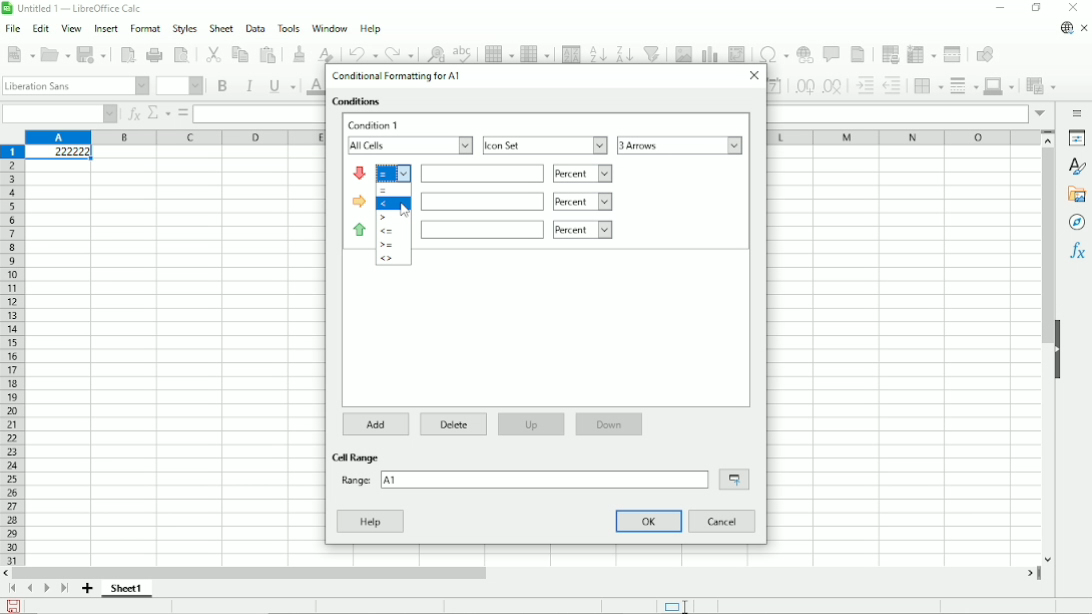  I want to click on Data, so click(253, 27).